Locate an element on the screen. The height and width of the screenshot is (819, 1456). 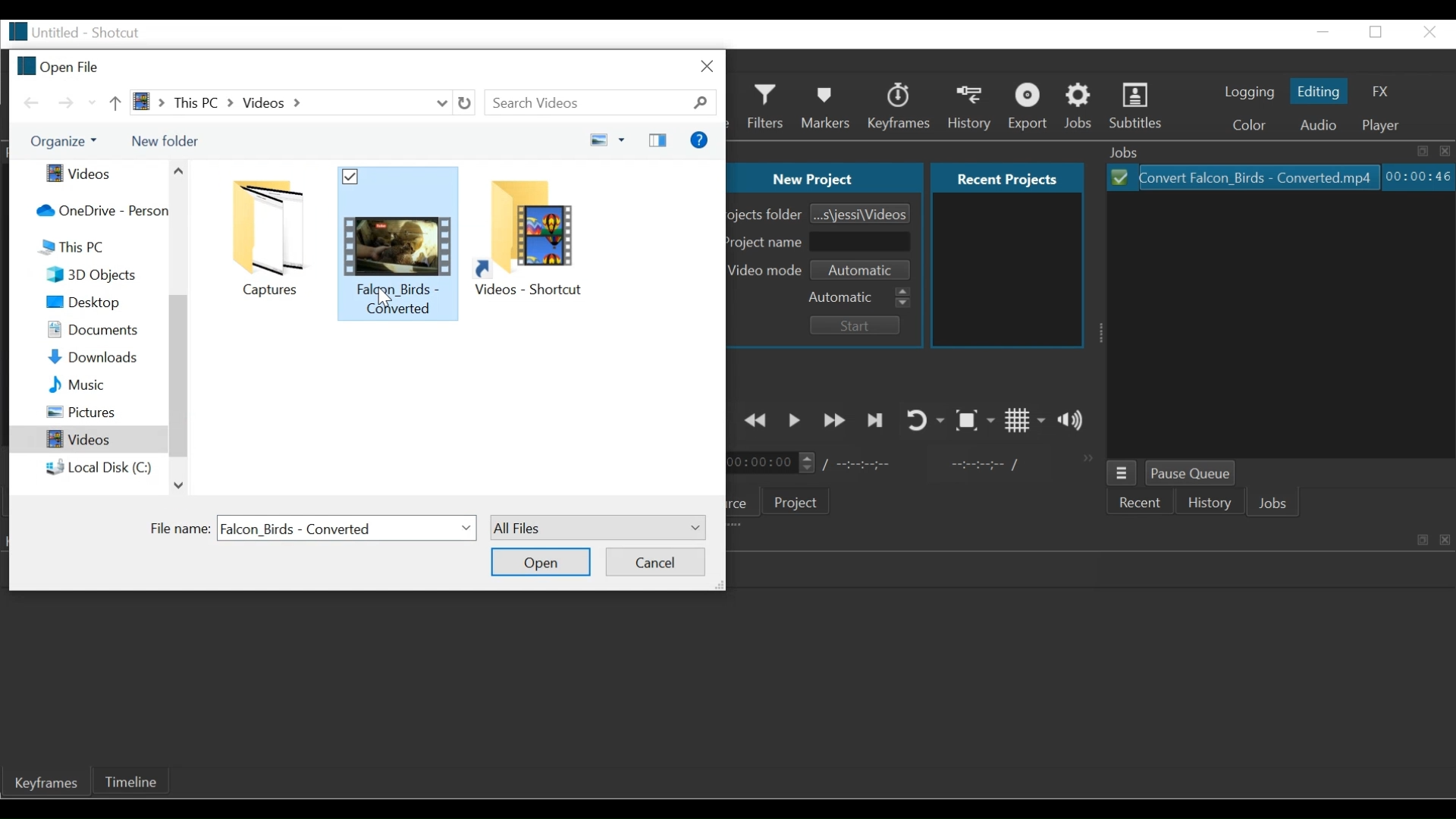
FX is located at coordinates (1378, 91).